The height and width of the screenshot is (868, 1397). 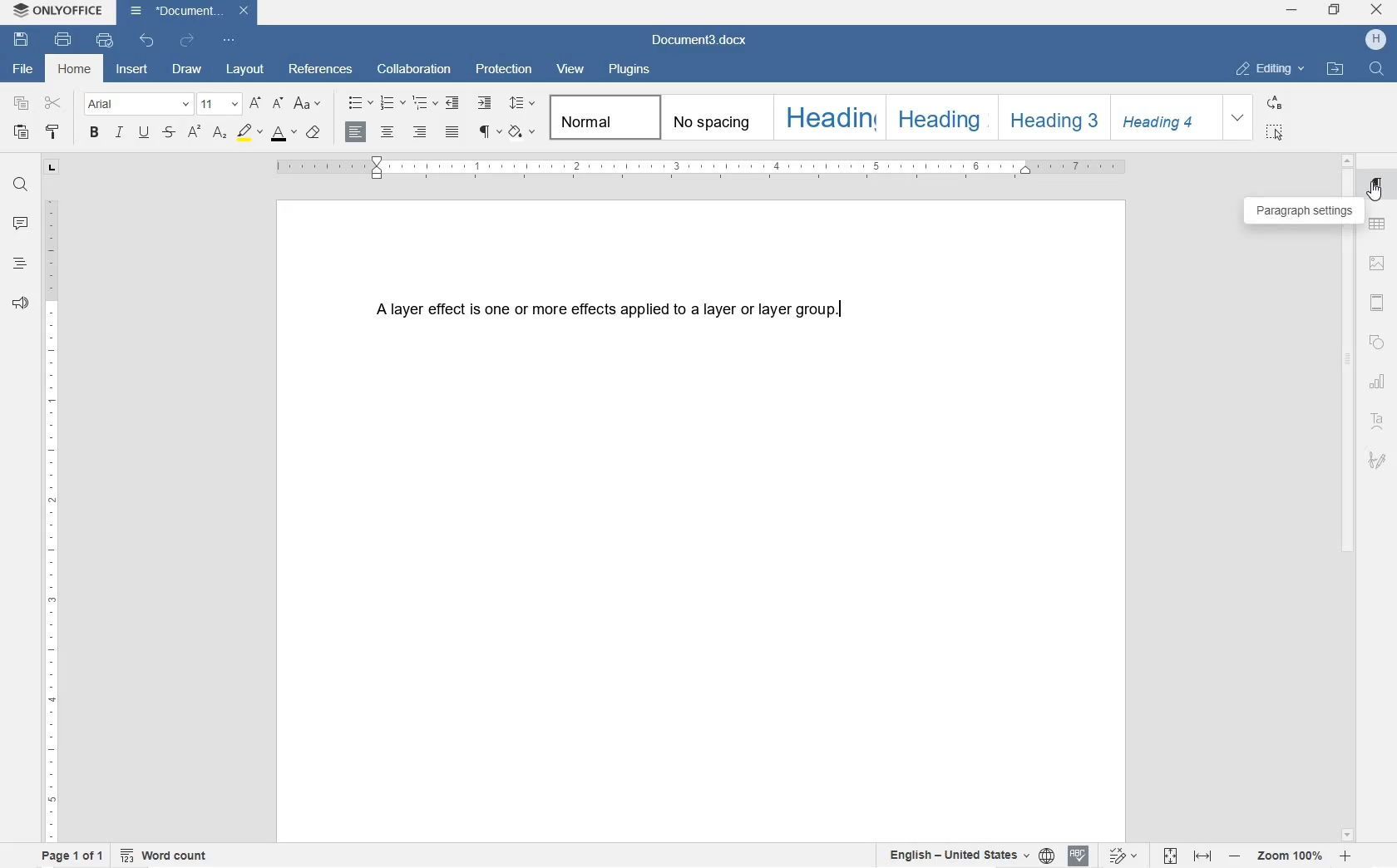 What do you see at coordinates (105, 42) in the screenshot?
I see `QUICK PRINT` at bounding box center [105, 42].